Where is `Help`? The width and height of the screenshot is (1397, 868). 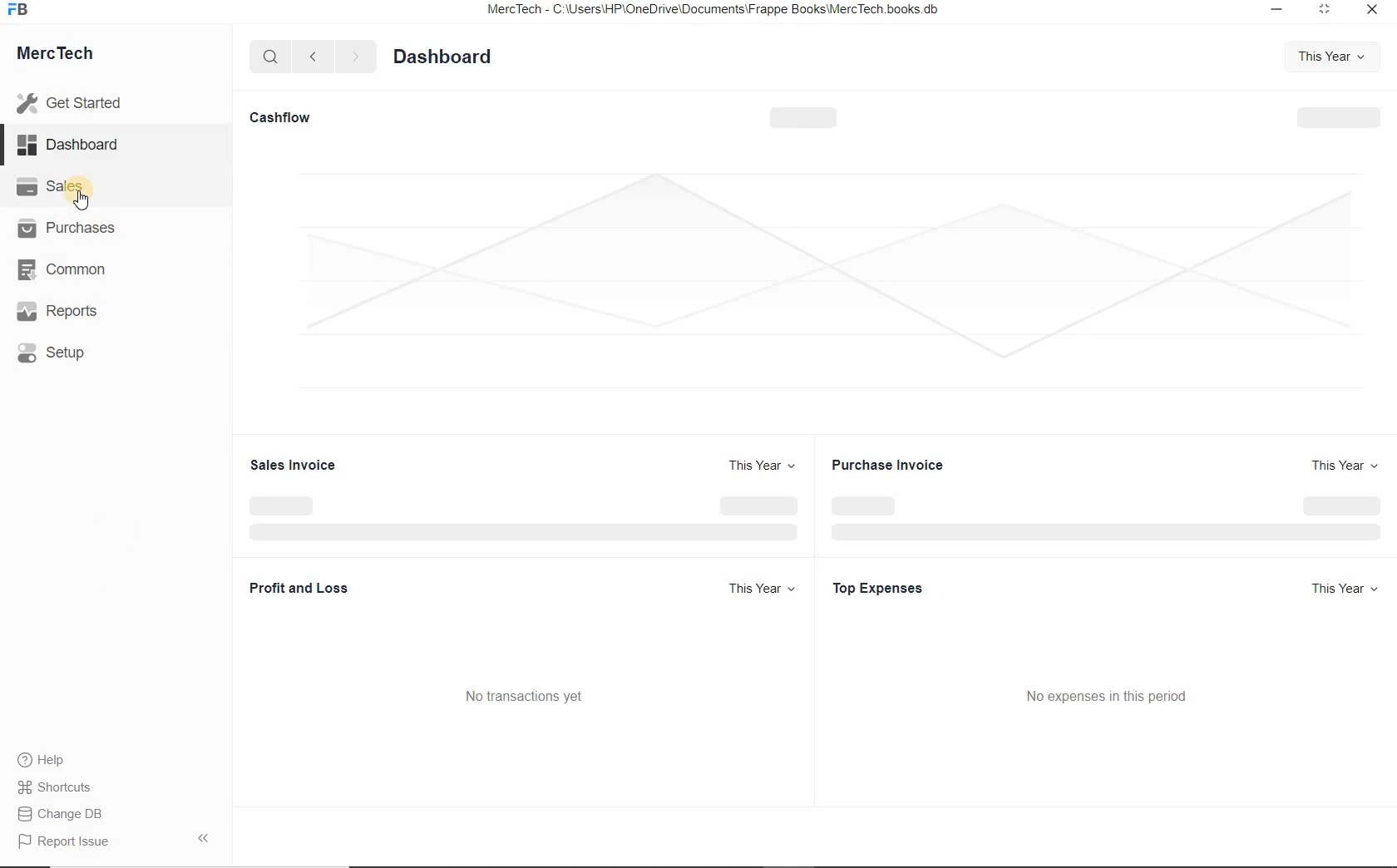
Help is located at coordinates (47, 760).